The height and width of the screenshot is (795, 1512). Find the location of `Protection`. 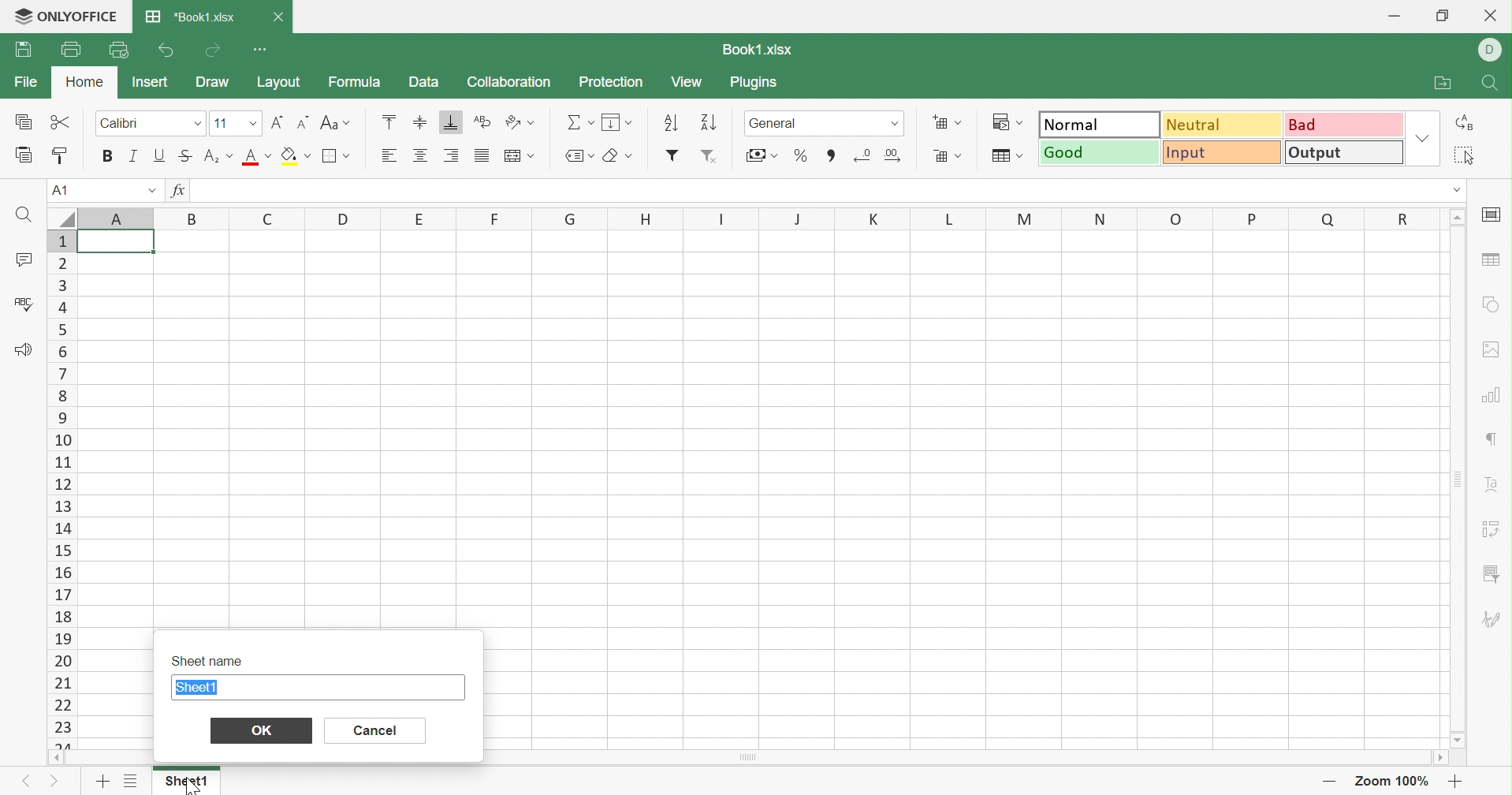

Protection is located at coordinates (613, 81).